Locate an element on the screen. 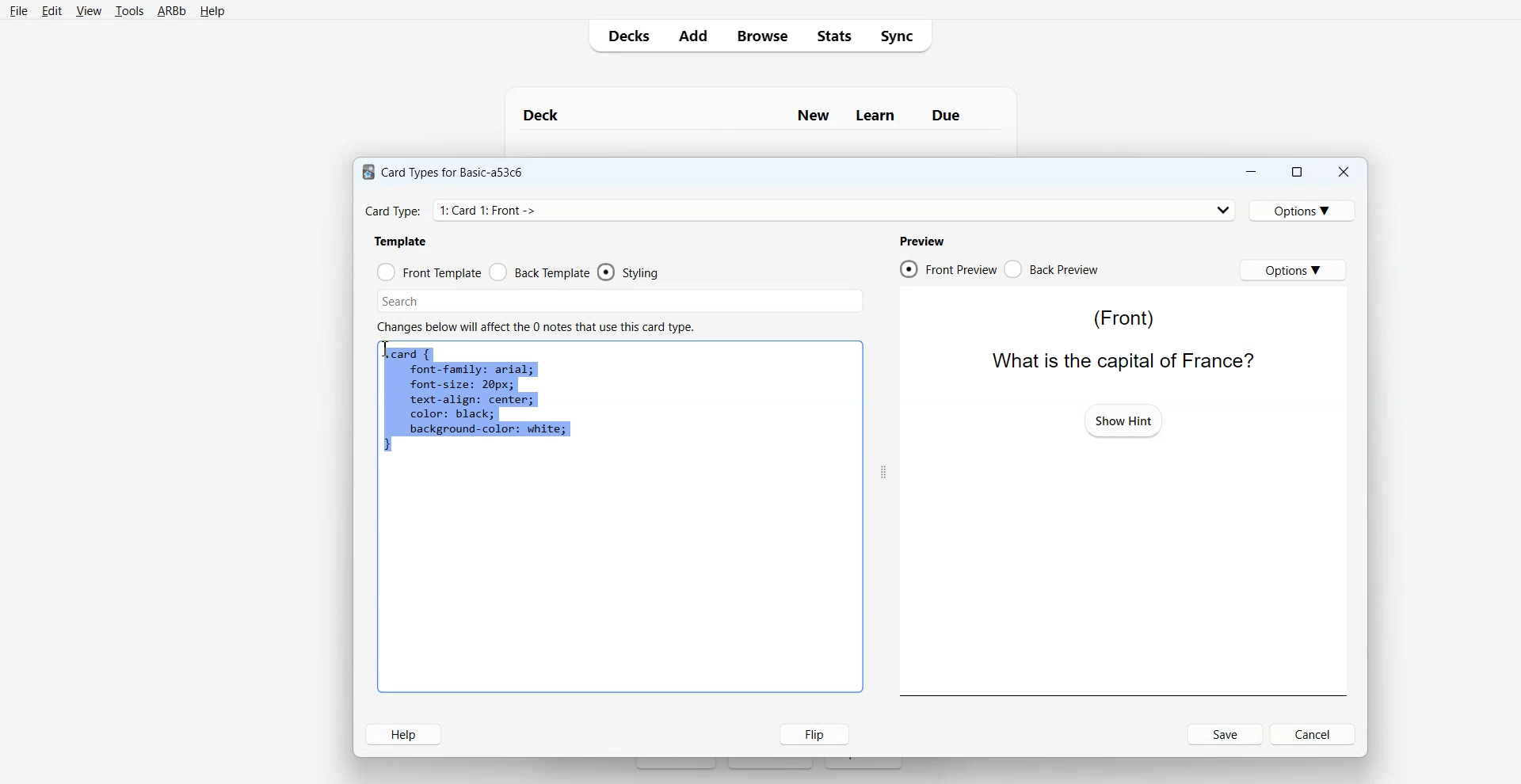  Minimize is located at coordinates (1249, 172).